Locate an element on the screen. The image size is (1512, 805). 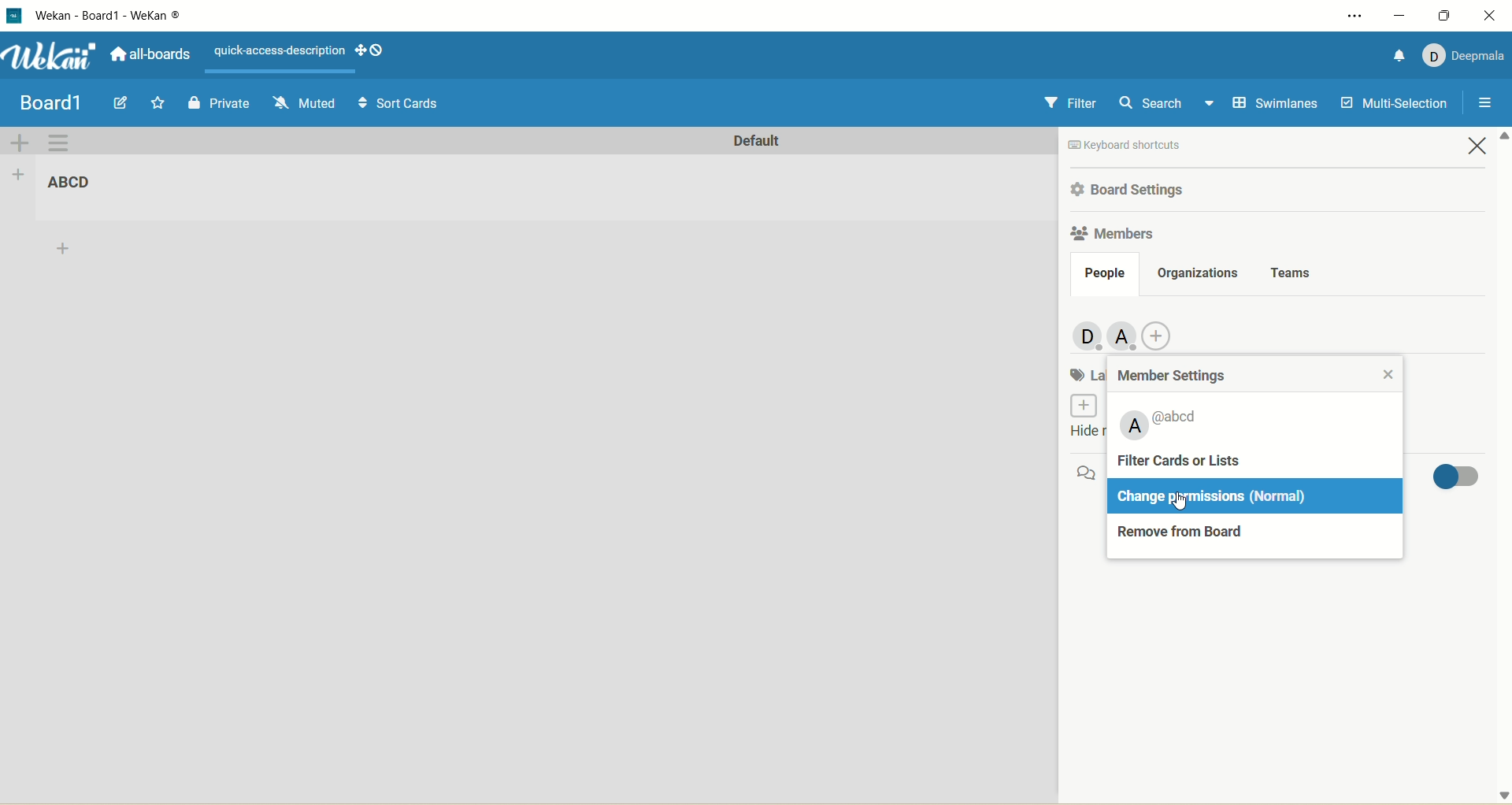
multi selection is located at coordinates (1397, 102).